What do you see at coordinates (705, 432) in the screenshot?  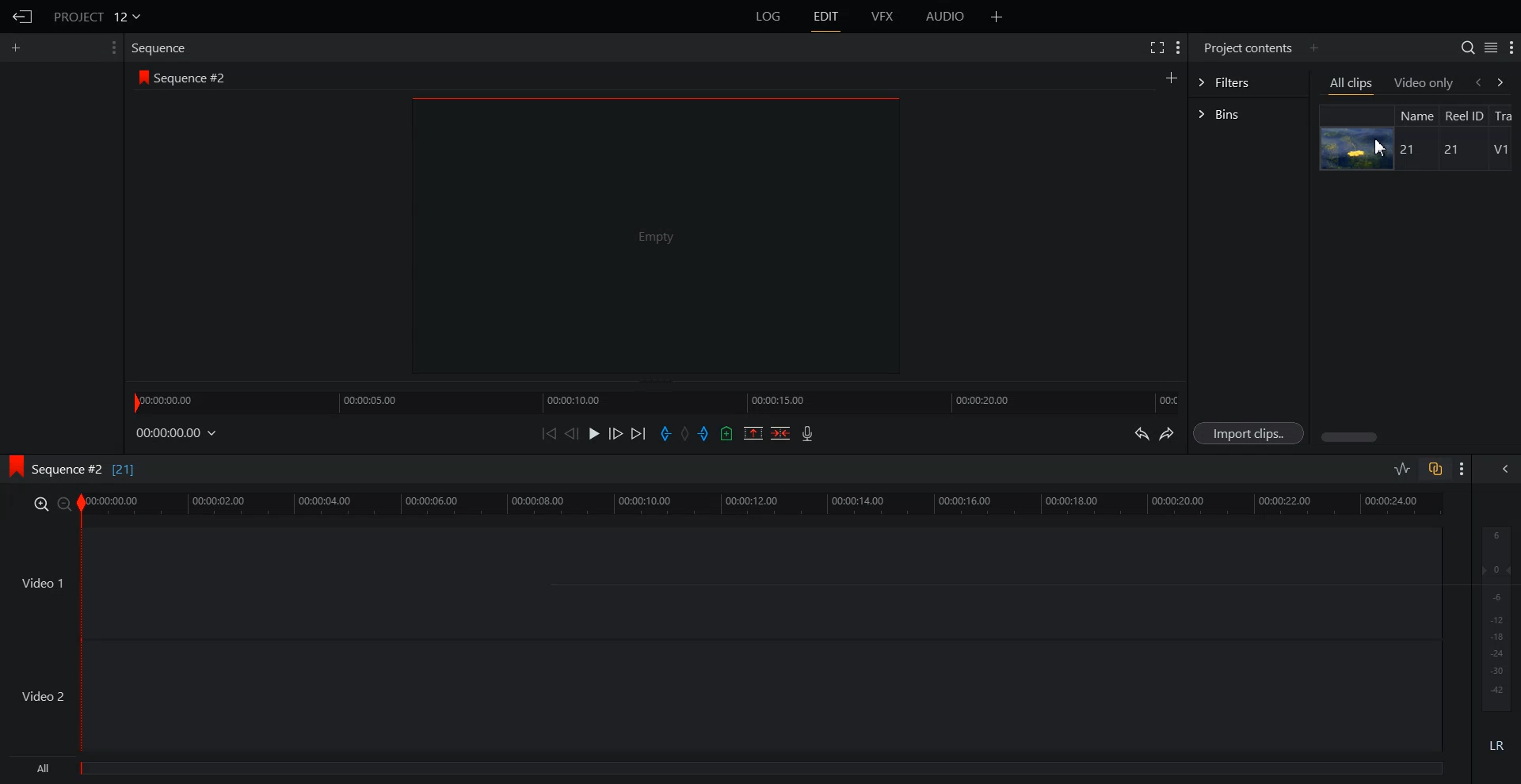 I see `Add an out mark at the current position` at bounding box center [705, 432].